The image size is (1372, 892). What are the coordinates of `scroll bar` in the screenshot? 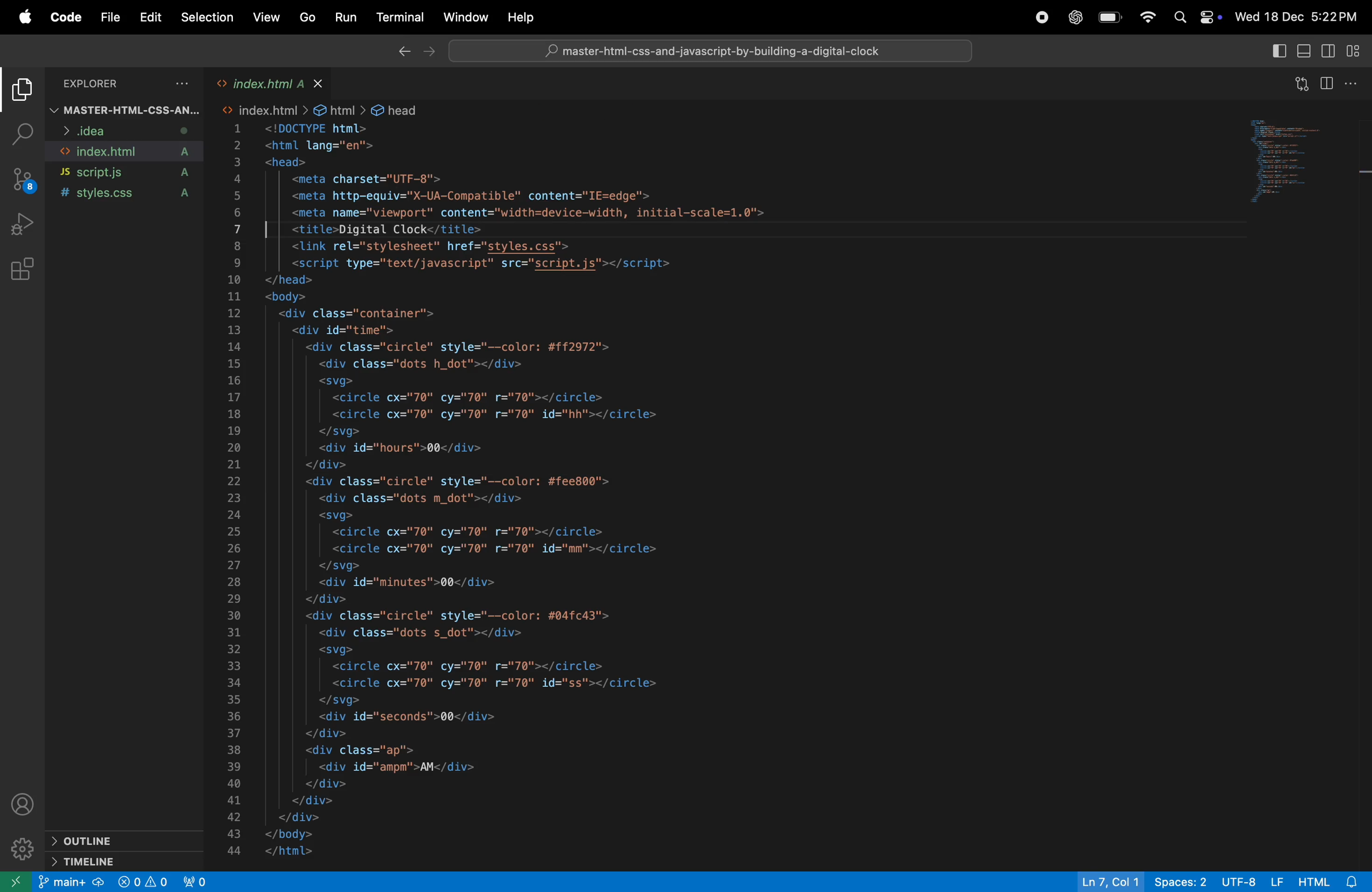 It's located at (1364, 266).